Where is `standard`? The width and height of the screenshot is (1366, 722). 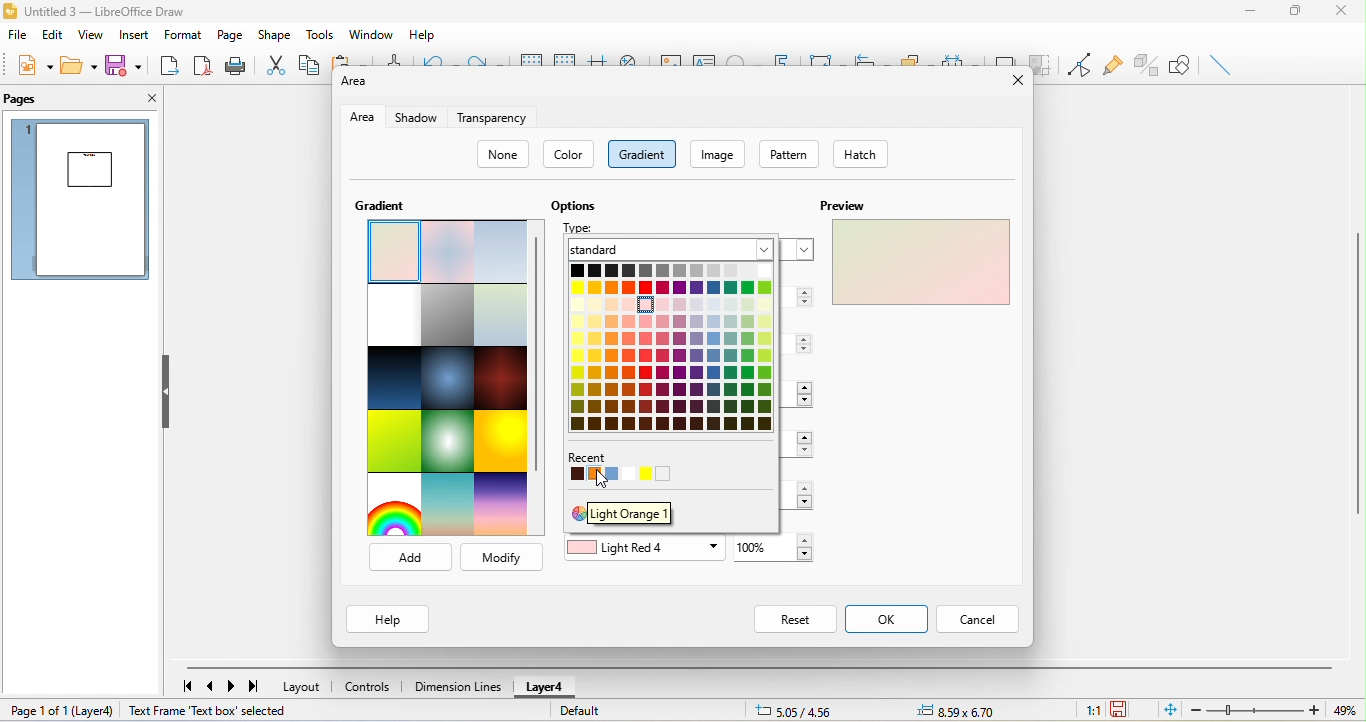
standard is located at coordinates (673, 246).